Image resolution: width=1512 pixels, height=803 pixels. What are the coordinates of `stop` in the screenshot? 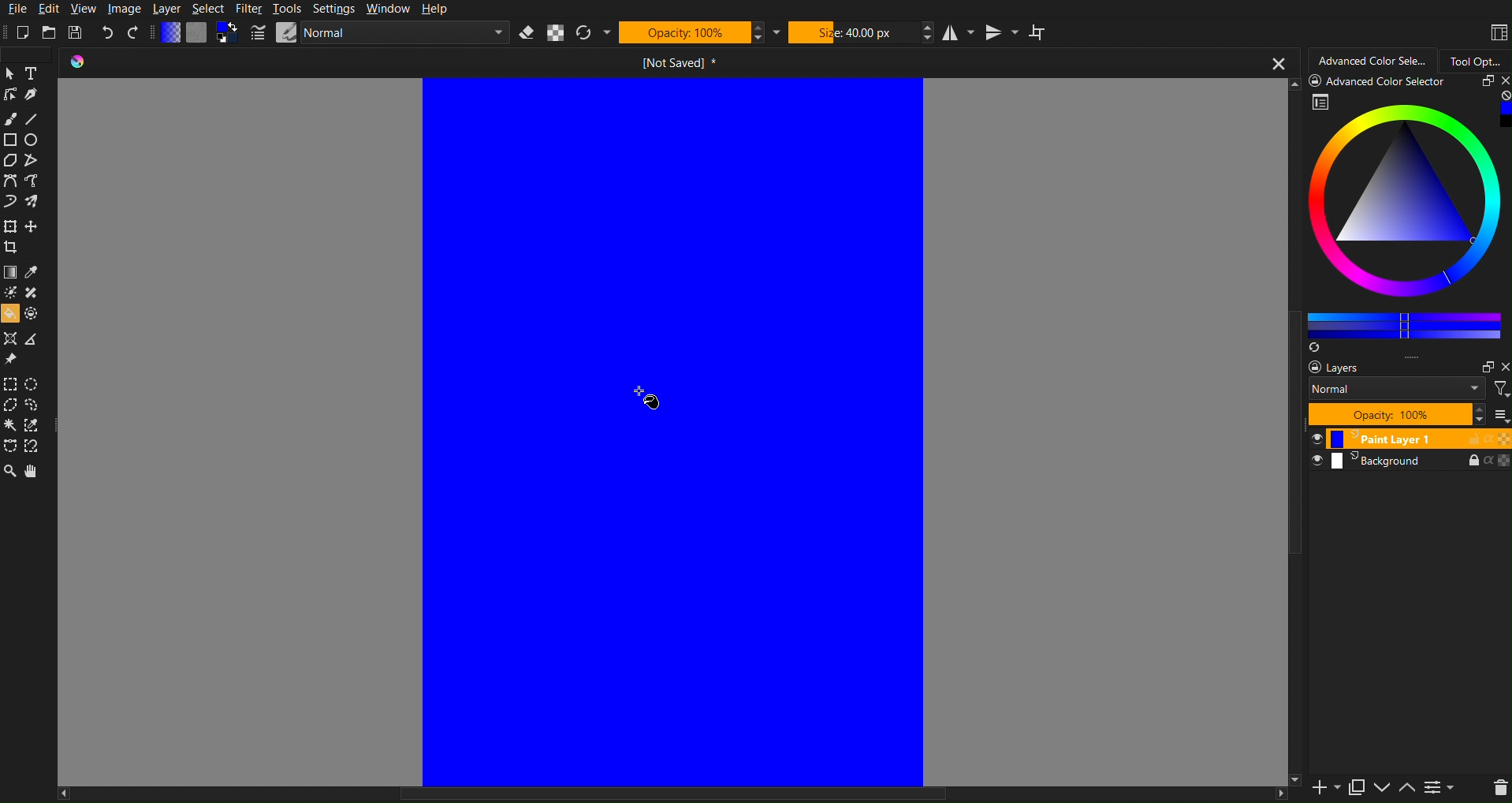 It's located at (1502, 95).